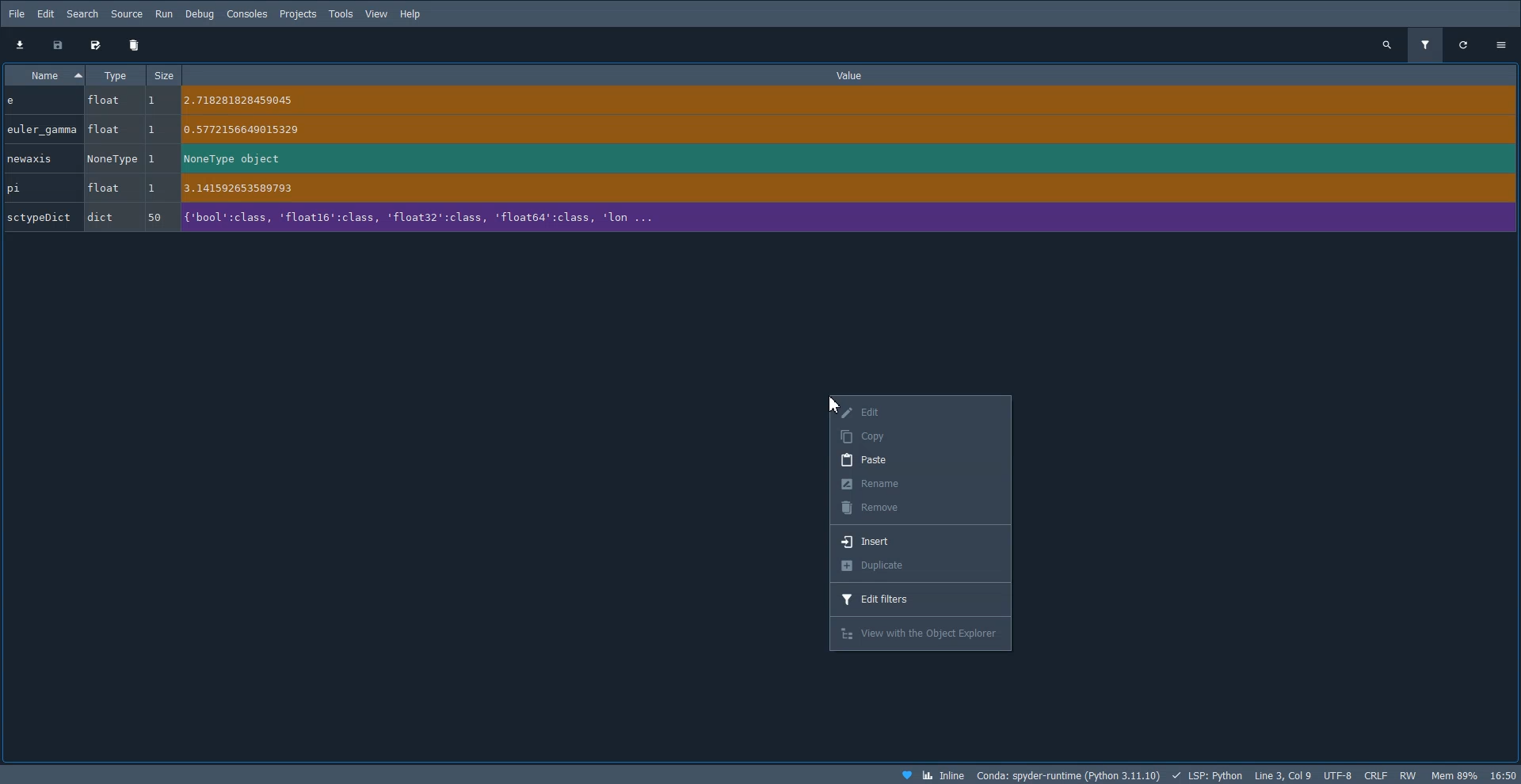  I want to click on Debug, so click(200, 13).